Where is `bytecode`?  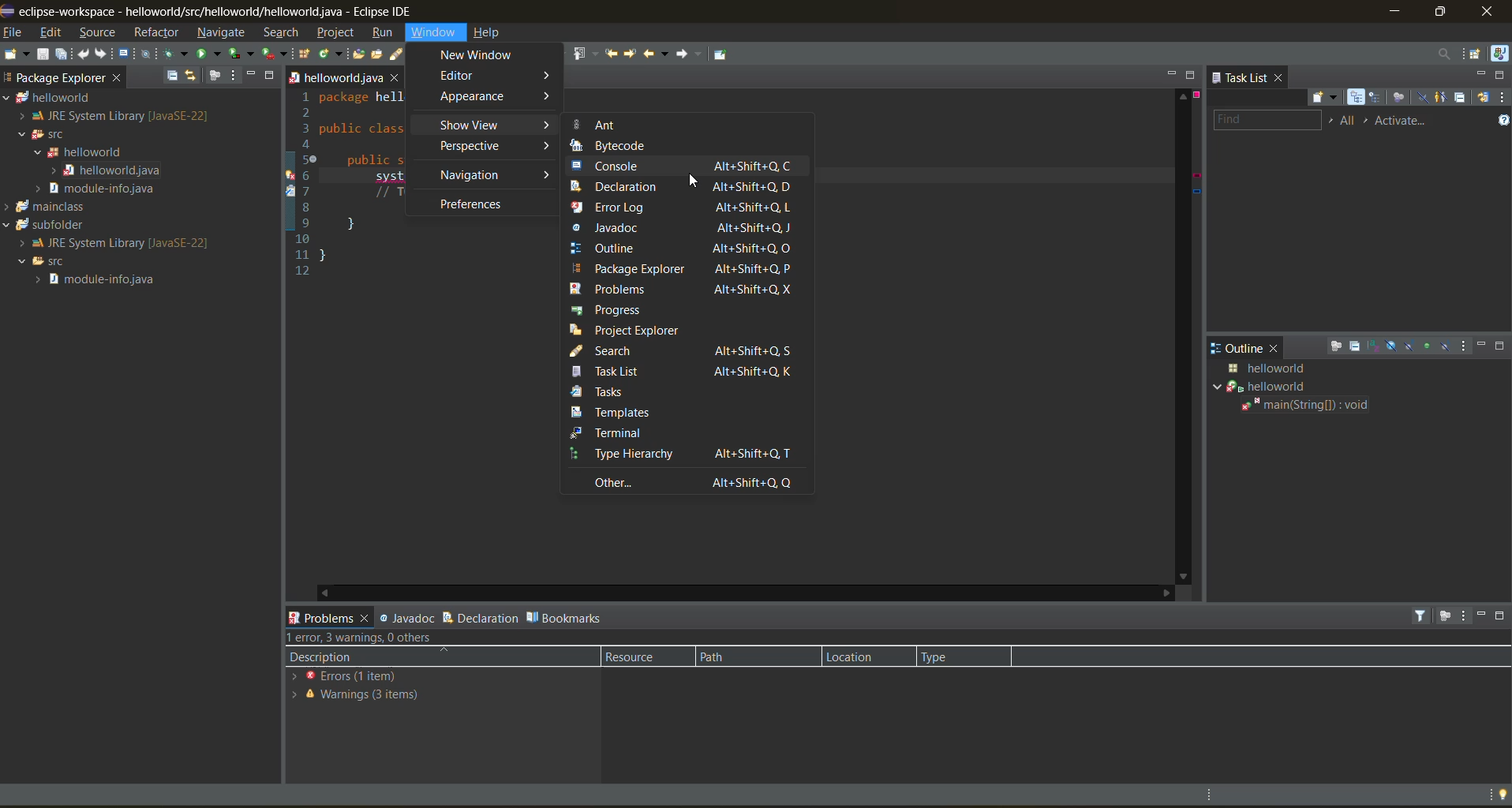 bytecode is located at coordinates (620, 146).